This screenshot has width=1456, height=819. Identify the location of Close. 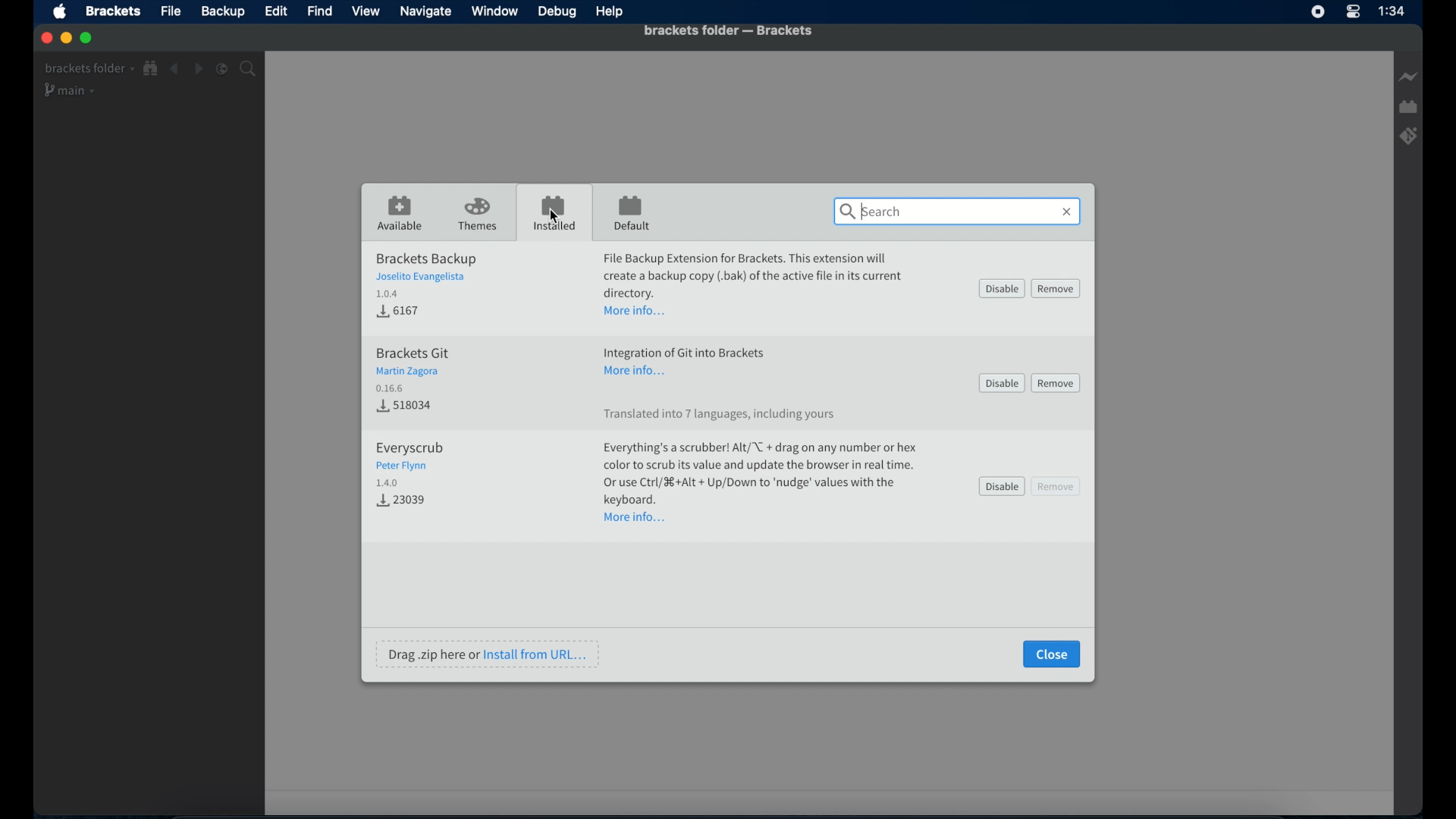
(45, 38).